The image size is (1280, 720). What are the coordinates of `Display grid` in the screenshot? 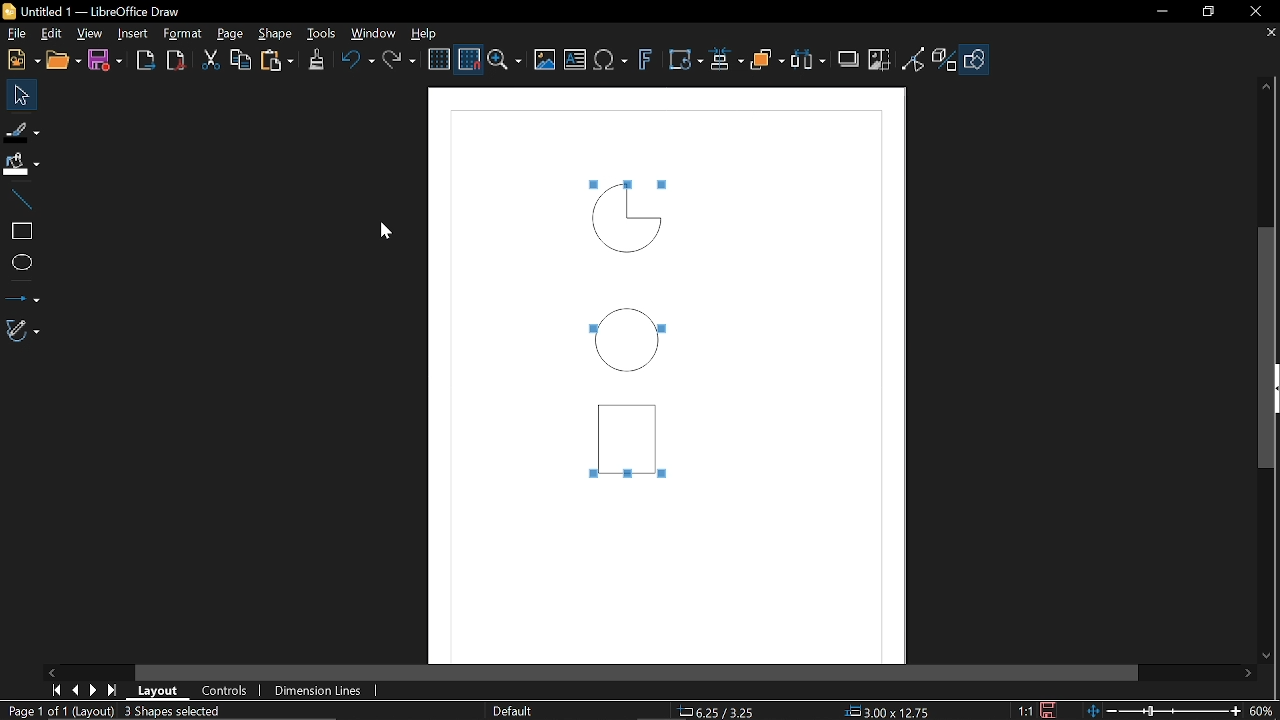 It's located at (440, 60).